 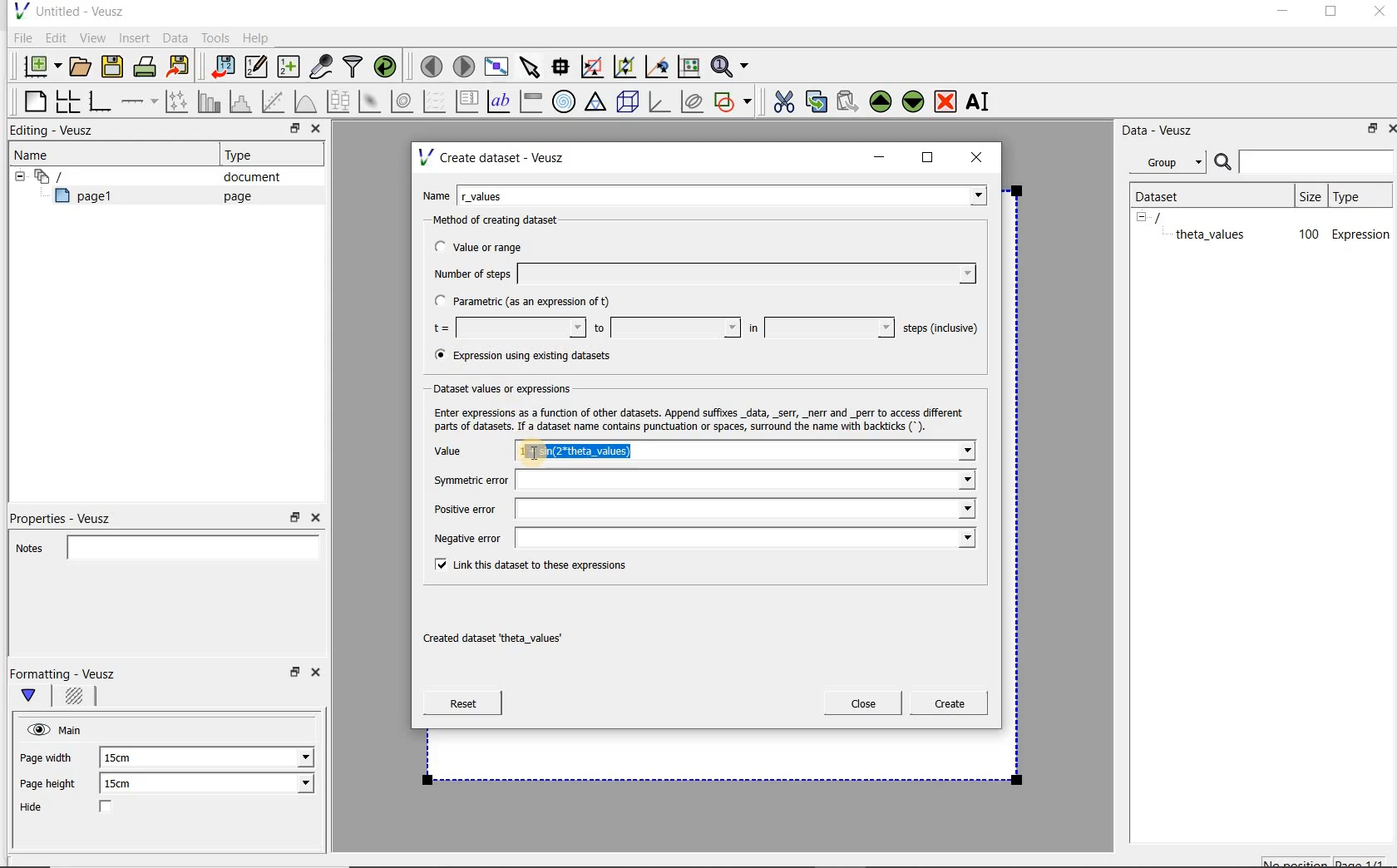 What do you see at coordinates (1166, 195) in the screenshot?
I see `Dataset` at bounding box center [1166, 195].